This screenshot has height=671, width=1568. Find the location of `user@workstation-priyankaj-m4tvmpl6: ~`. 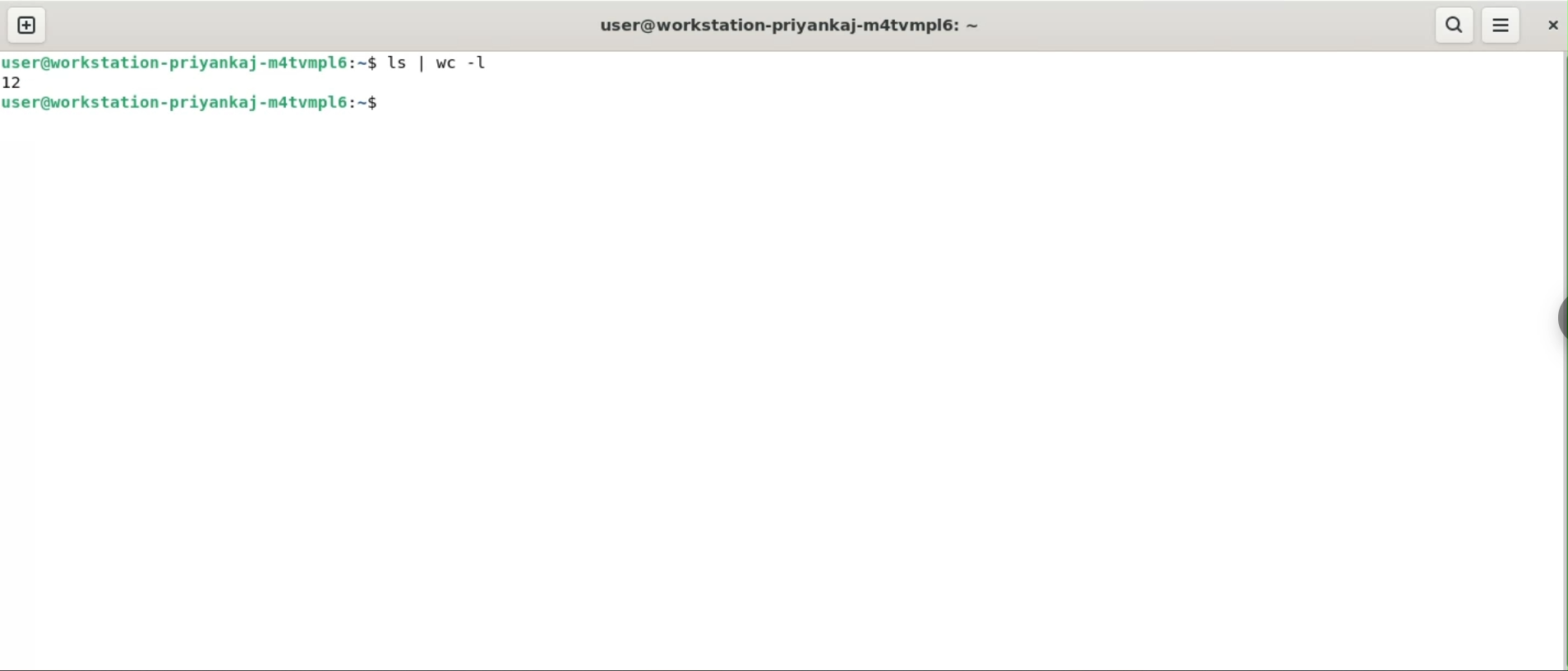

user@workstation-priyankaj-m4tvmpl6: ~ is located at coordinates (796, 25).